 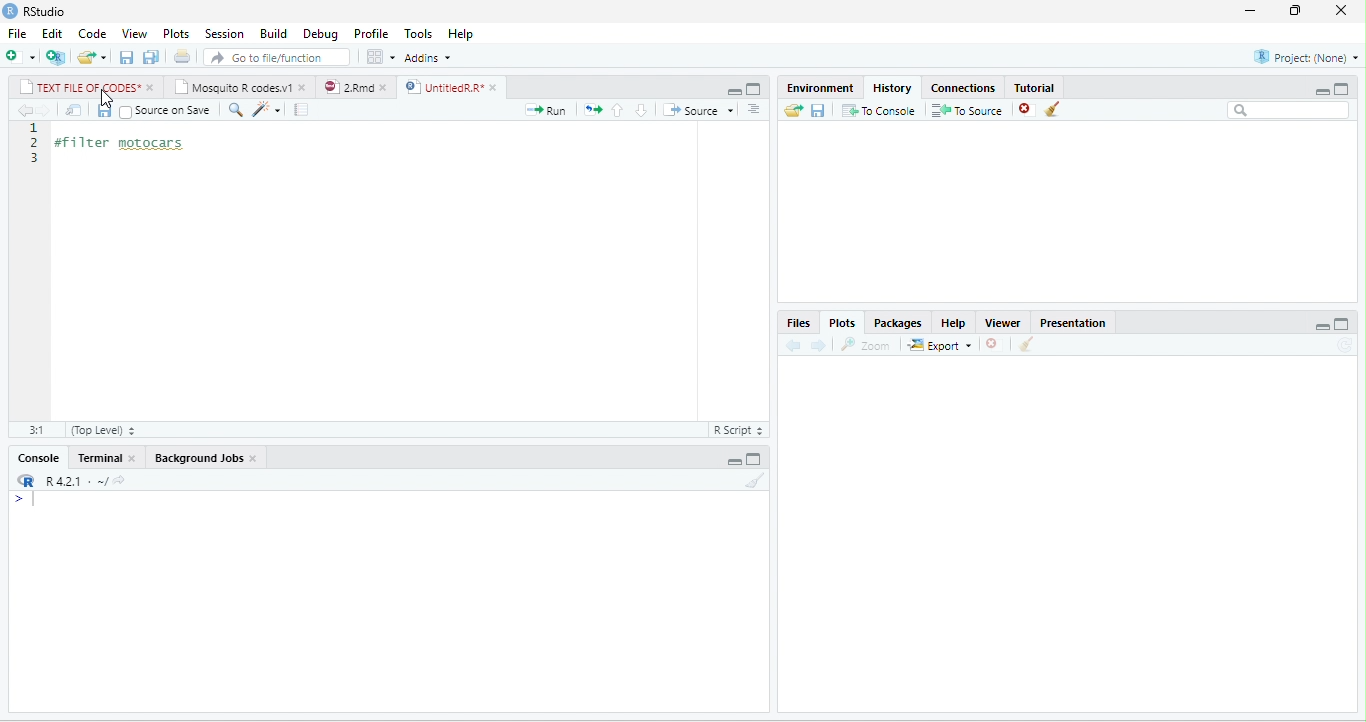 What do you see at coordinates (21, 56) in the screenshot?
I see `new file` at bounding box center [21, 56].